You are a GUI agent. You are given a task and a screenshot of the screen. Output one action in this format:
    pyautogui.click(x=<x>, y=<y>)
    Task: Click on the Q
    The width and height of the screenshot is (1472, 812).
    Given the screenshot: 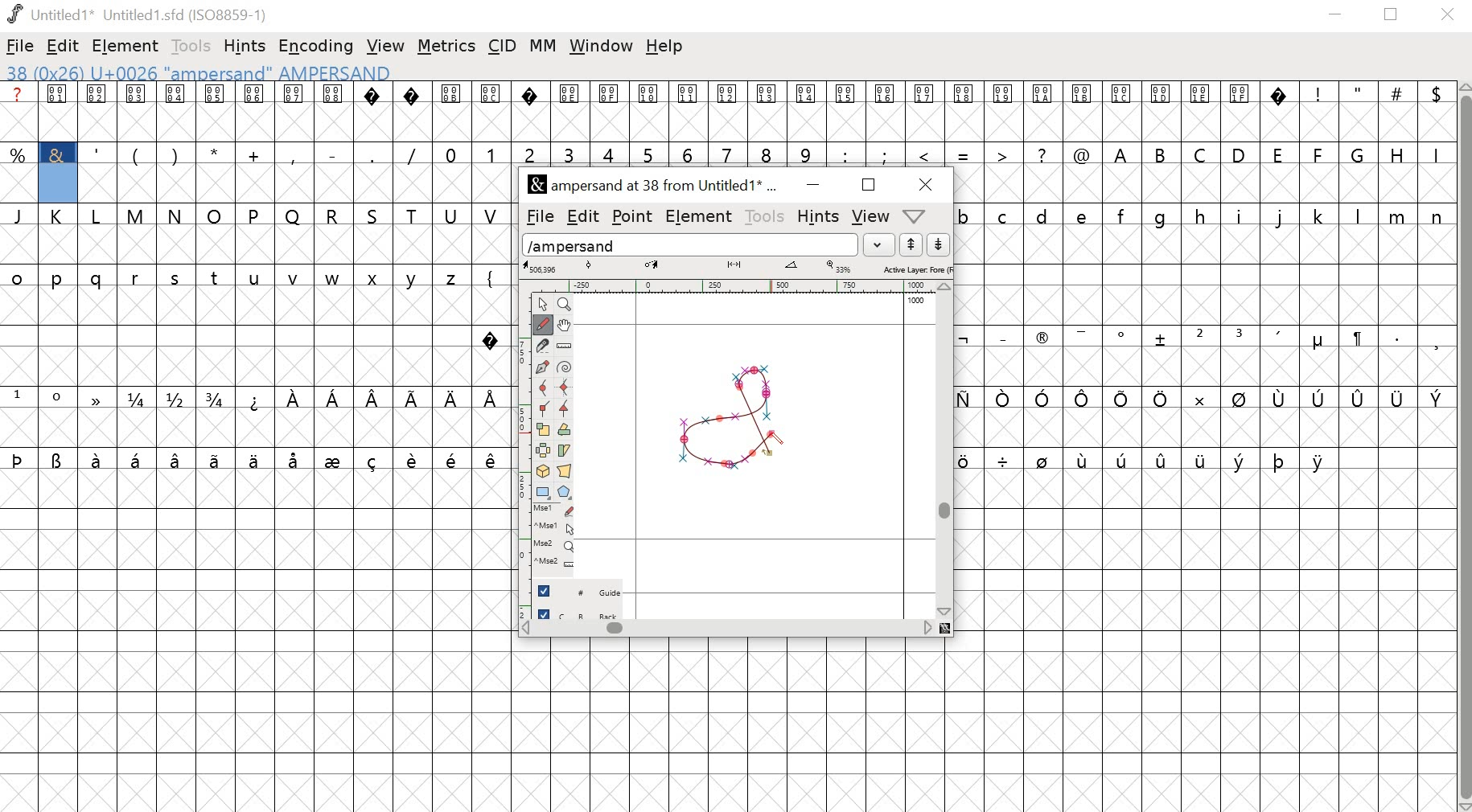 What is the action you would take?
    pyautogui.click(x=293, y=215)
    